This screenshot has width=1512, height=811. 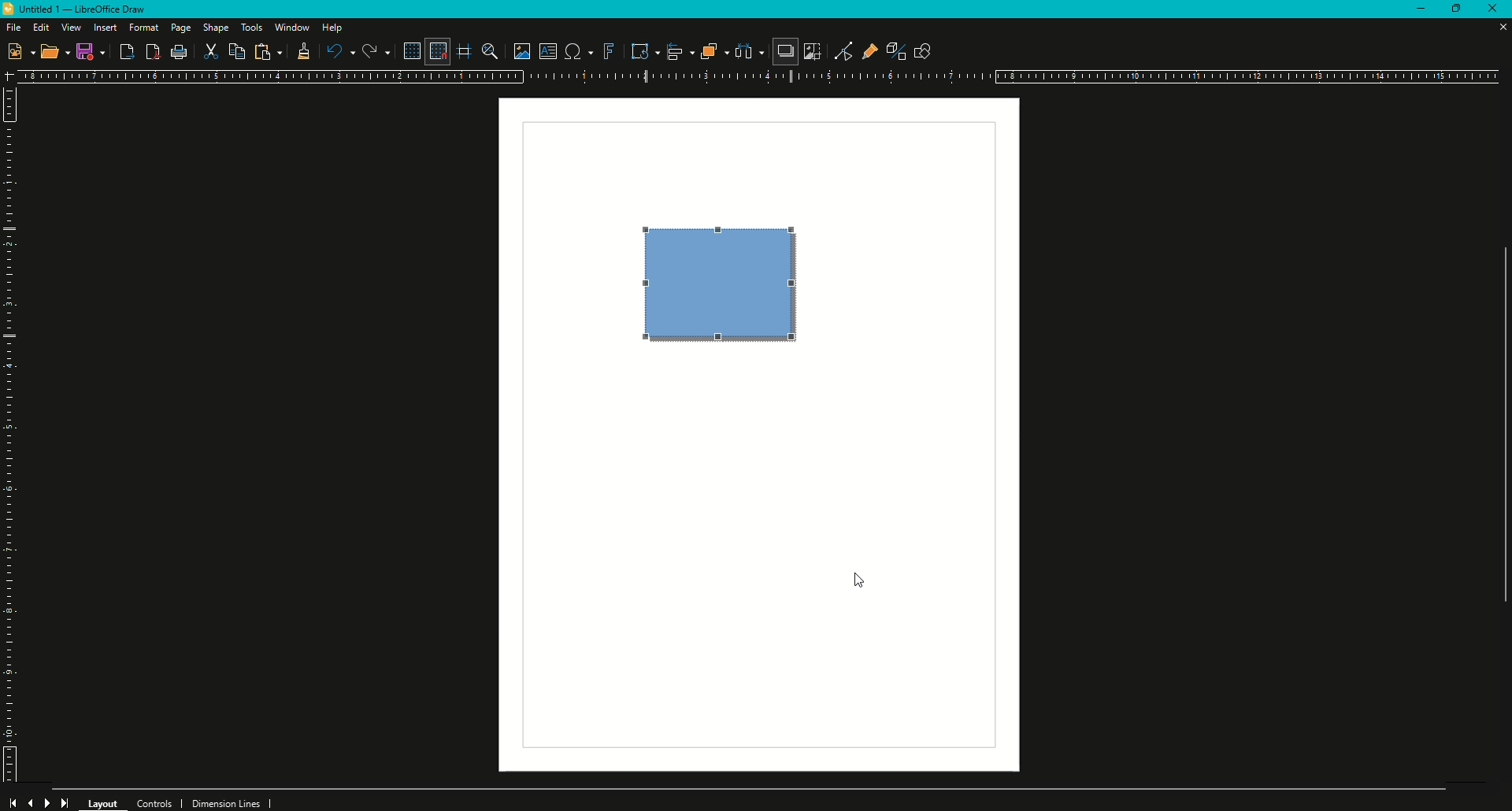 I want to click on Window, so click(x=291, y=27).